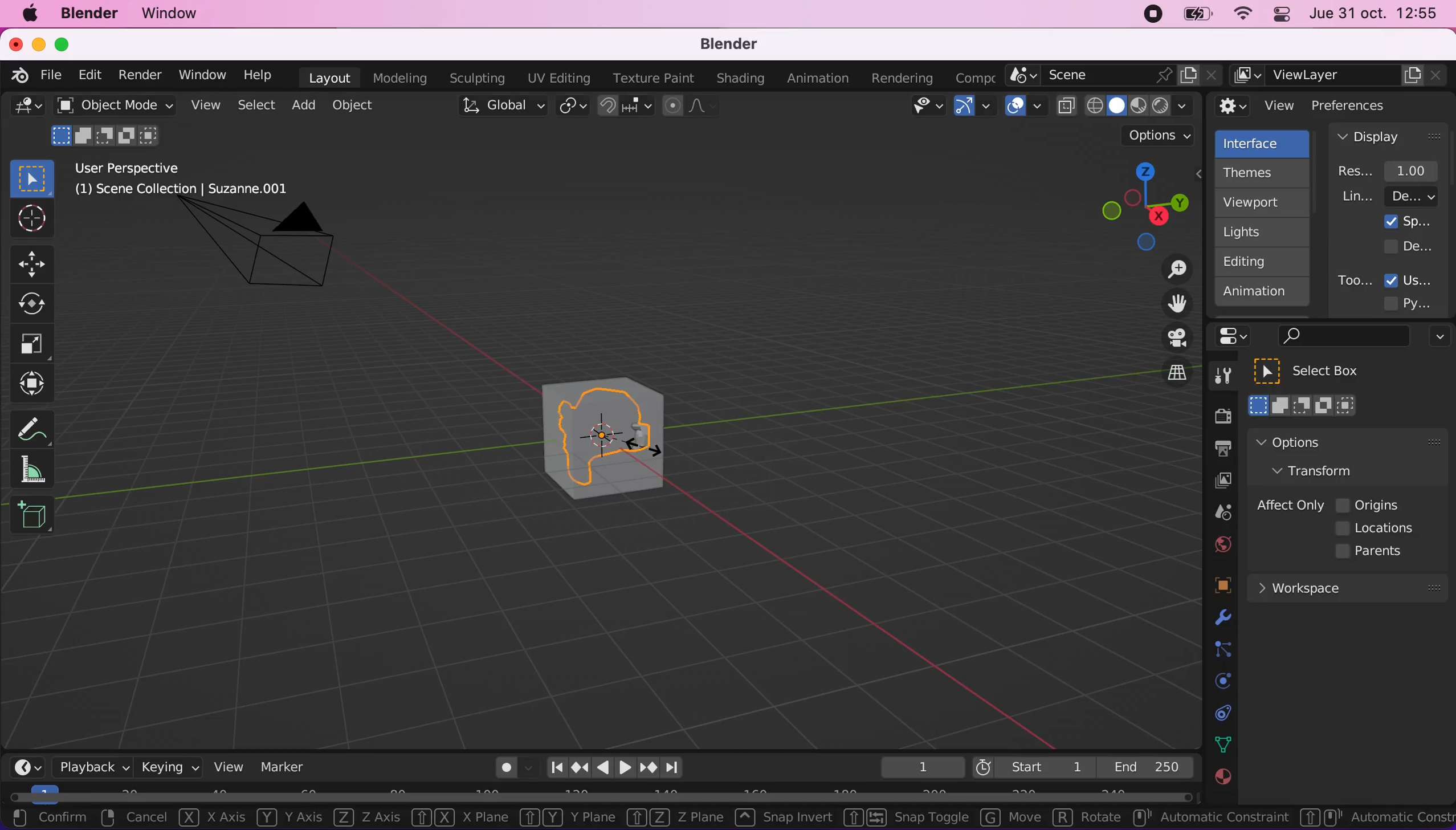 This screenshot has width=1456, height=830. What do you see at coordinates (40, 469) in the screenshot?
I see `measure` at bounding box center [40, 469].